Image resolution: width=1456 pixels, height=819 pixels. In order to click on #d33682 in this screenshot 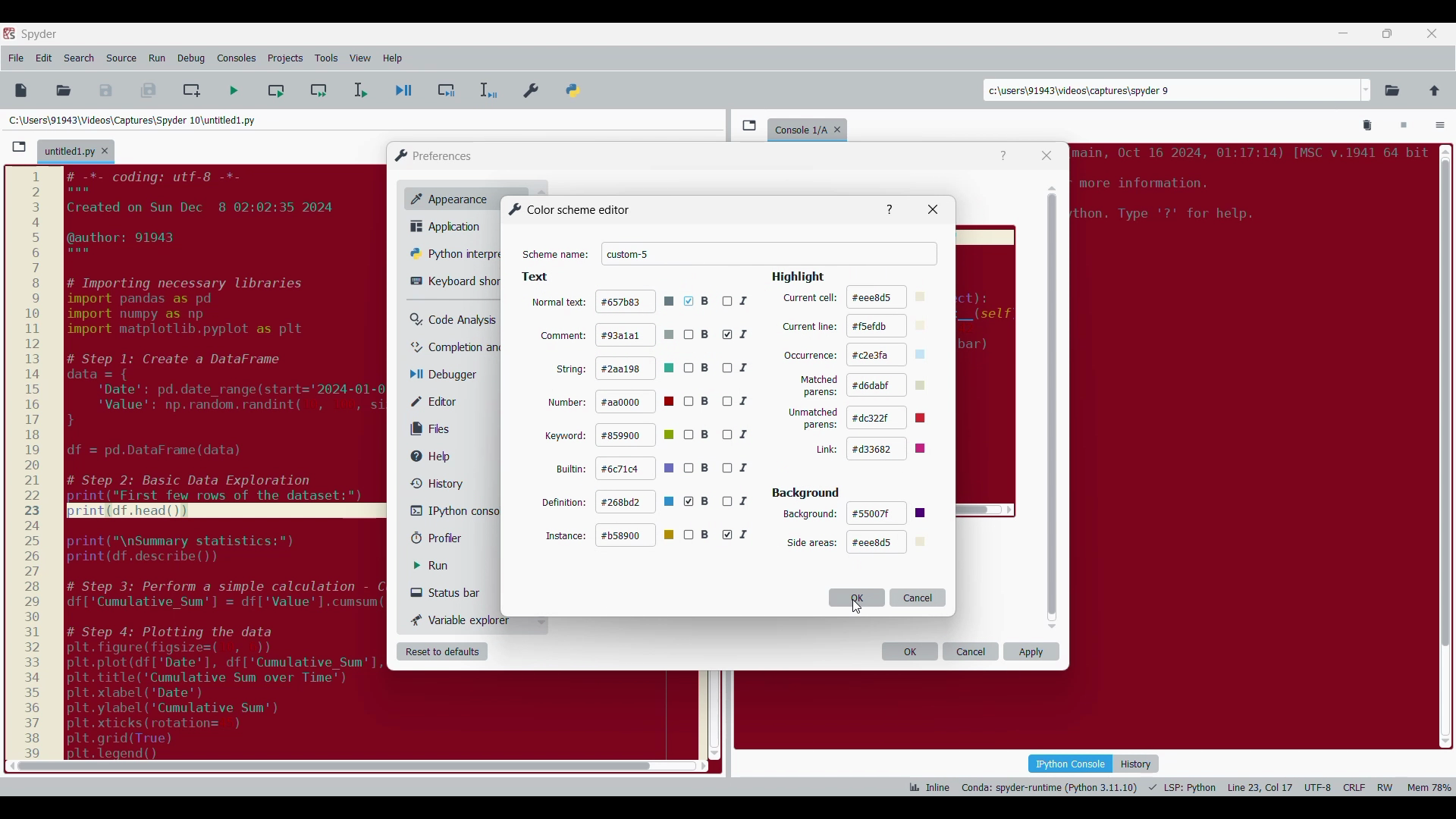, I will do `click(893, 448)`.